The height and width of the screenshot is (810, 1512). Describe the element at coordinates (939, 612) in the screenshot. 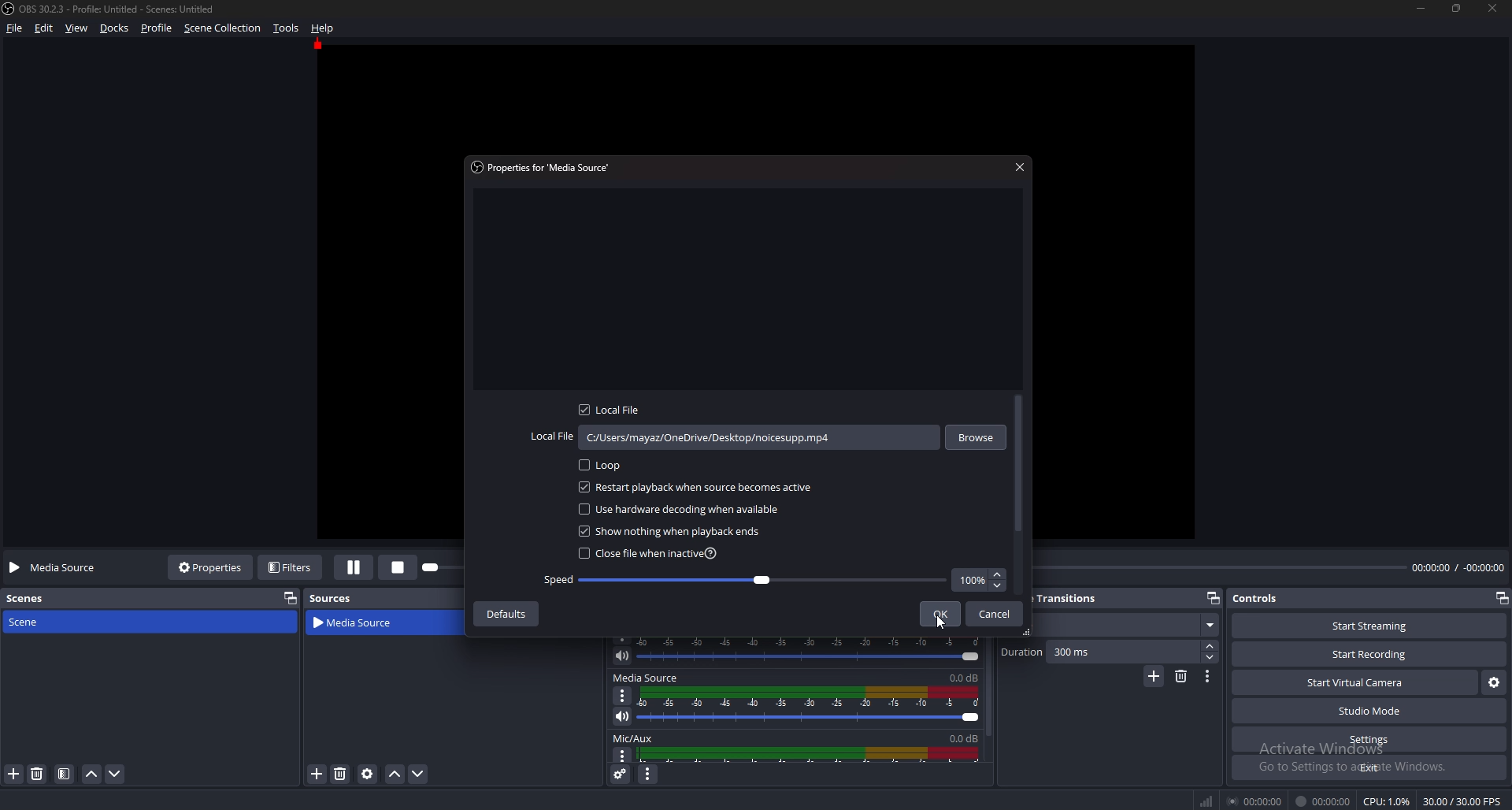

I see `ok` at that location.